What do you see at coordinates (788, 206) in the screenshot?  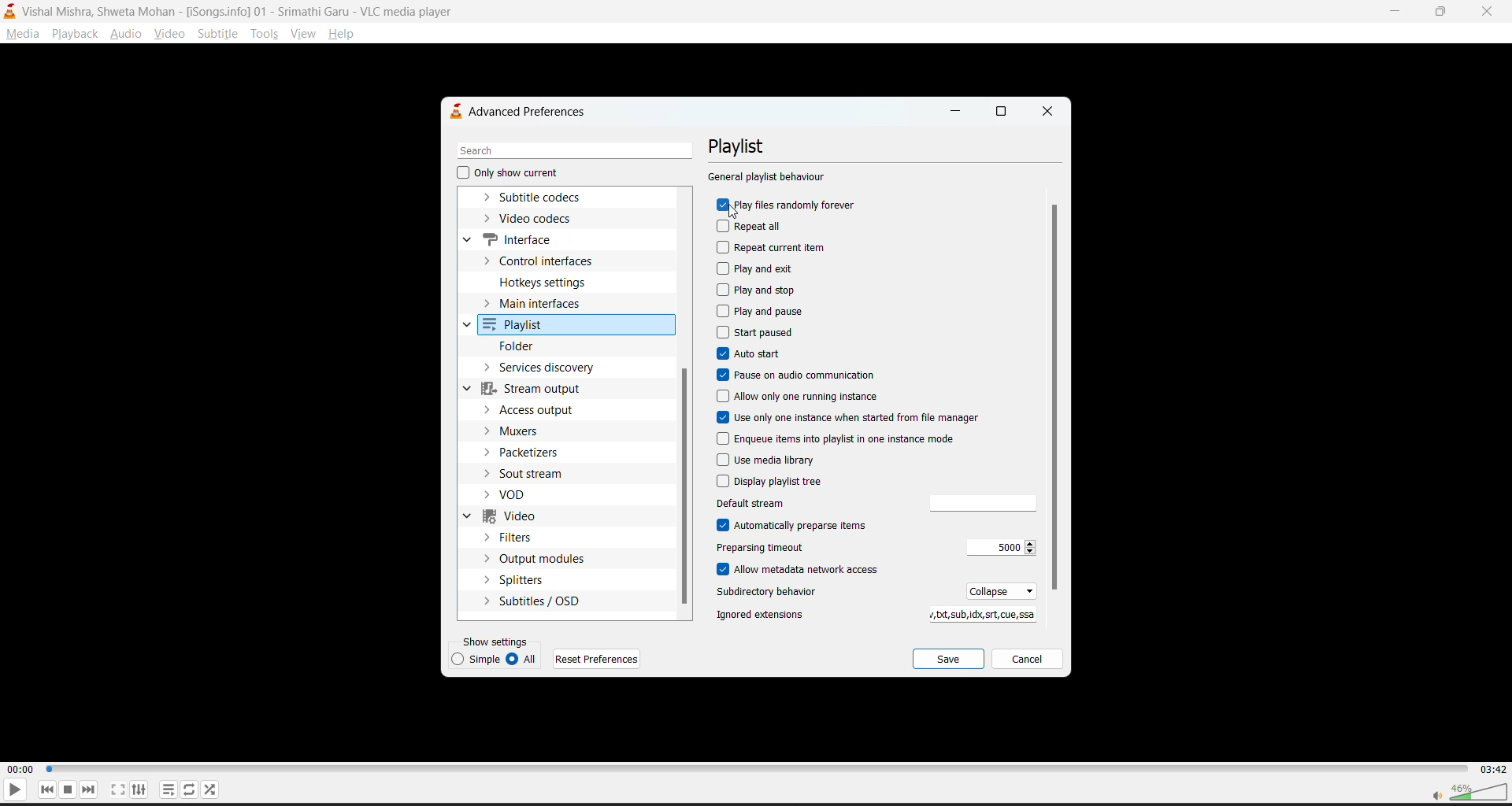 I see `play files randomly forever` at bounding box center [788, 206].